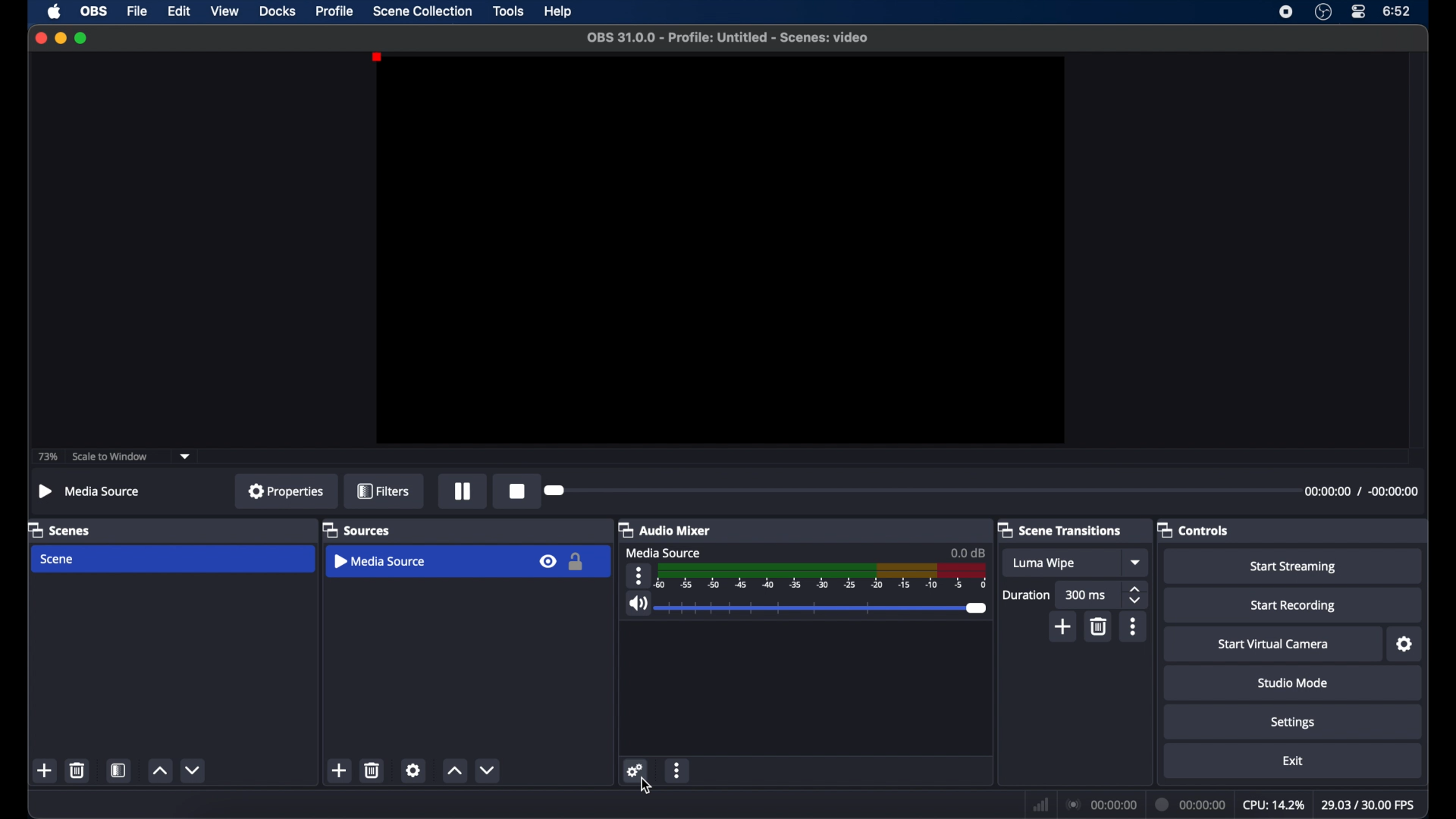  I want to click on settings, so click(638, 767).